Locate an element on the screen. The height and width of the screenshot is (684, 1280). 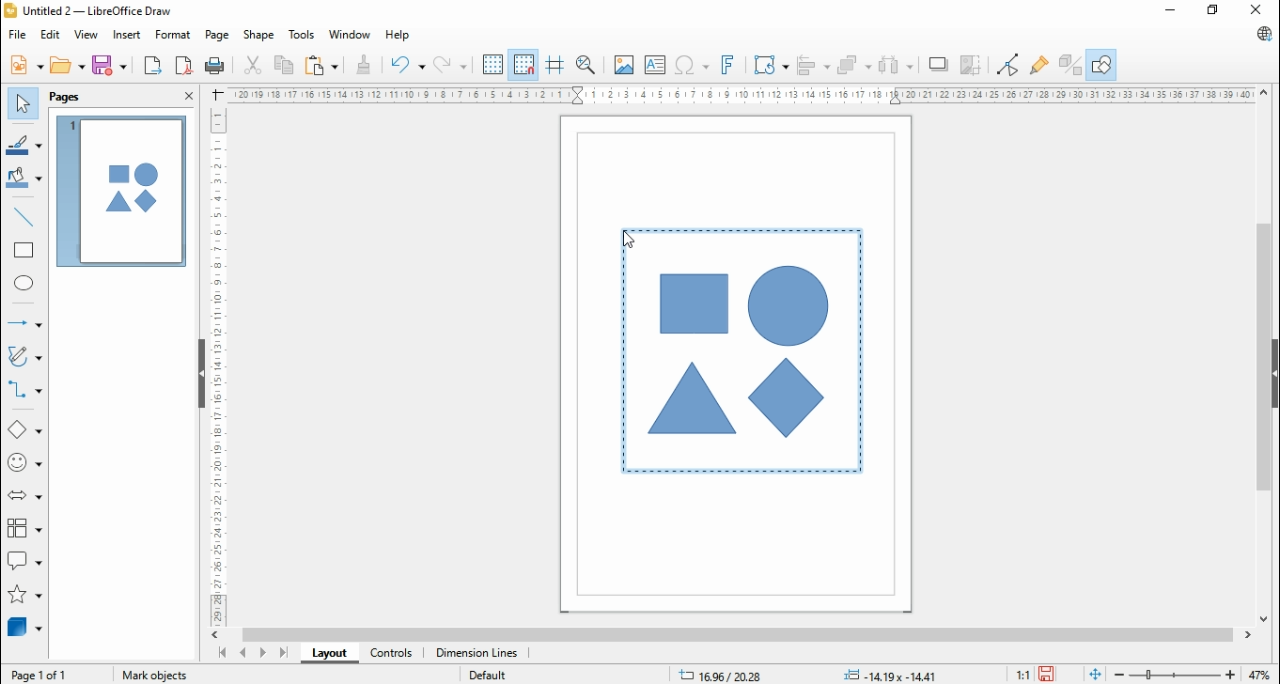
pan and zoom is located at coordinates (587, 64).